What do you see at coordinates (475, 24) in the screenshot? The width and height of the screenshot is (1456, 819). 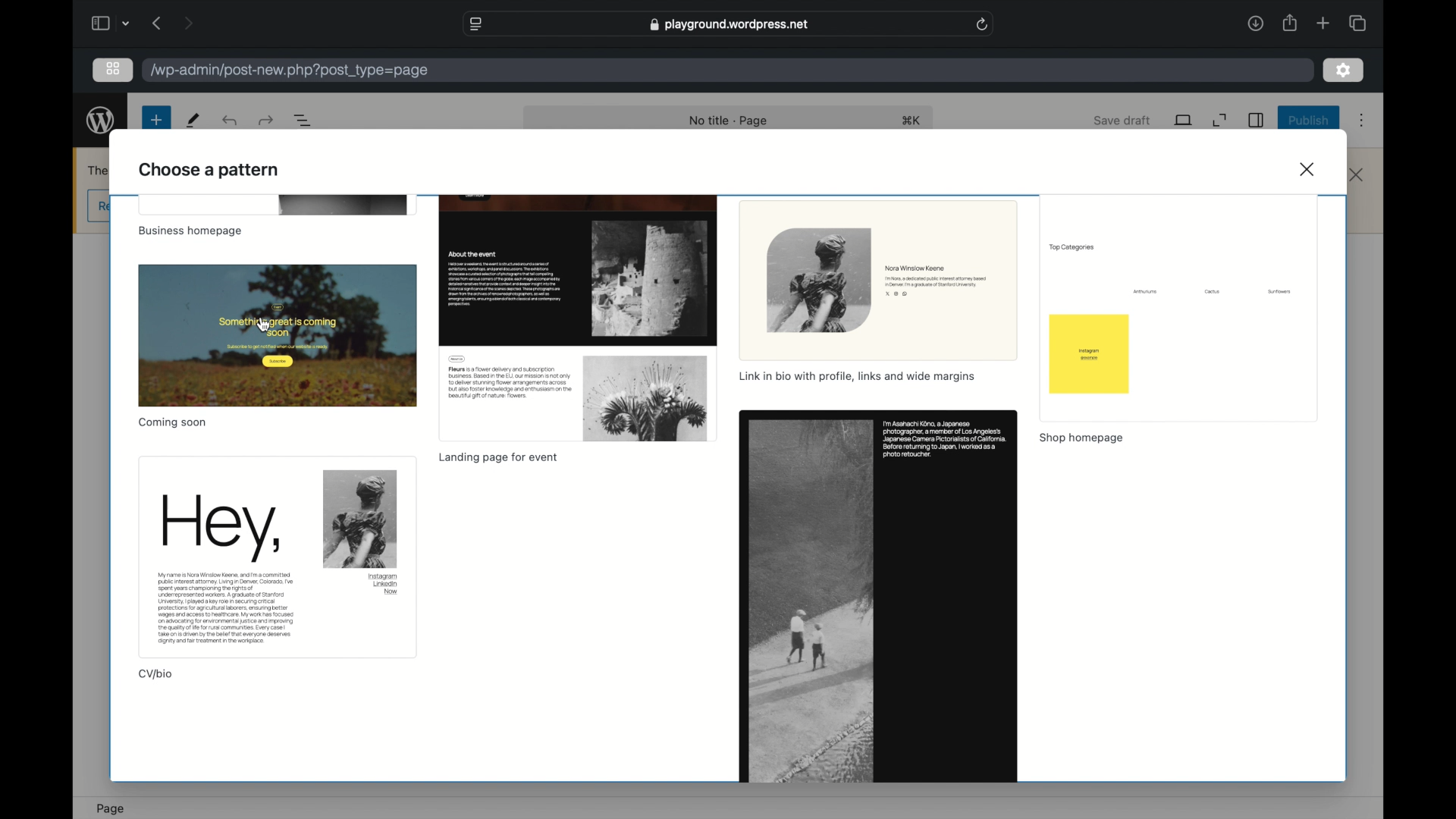 I see `website settings` at bounding box center [475, 24].